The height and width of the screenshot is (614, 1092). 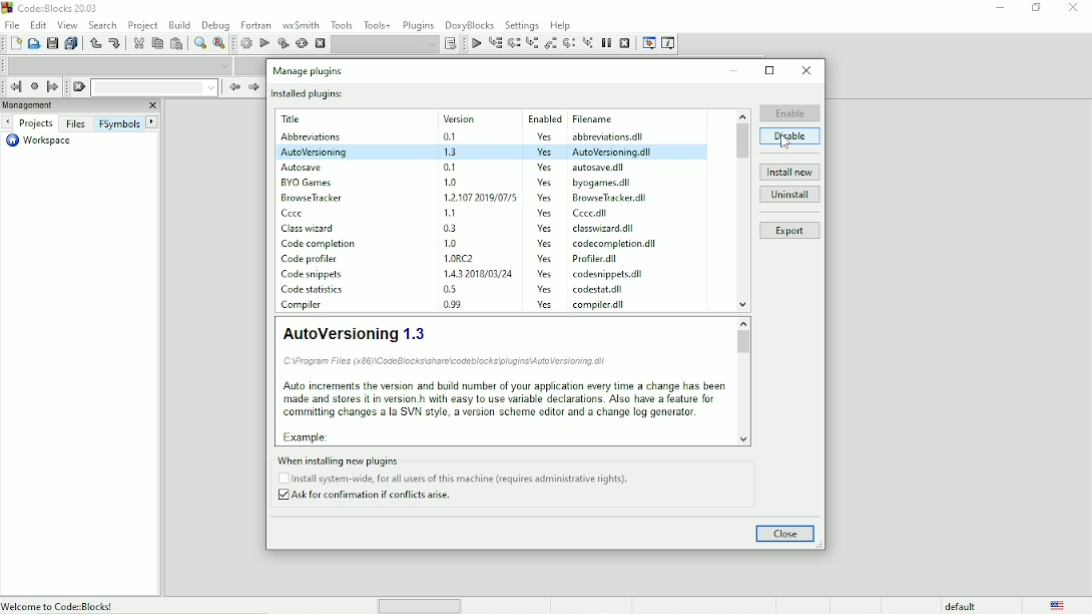 I want to click on Debug, so click(x=216, y=23).